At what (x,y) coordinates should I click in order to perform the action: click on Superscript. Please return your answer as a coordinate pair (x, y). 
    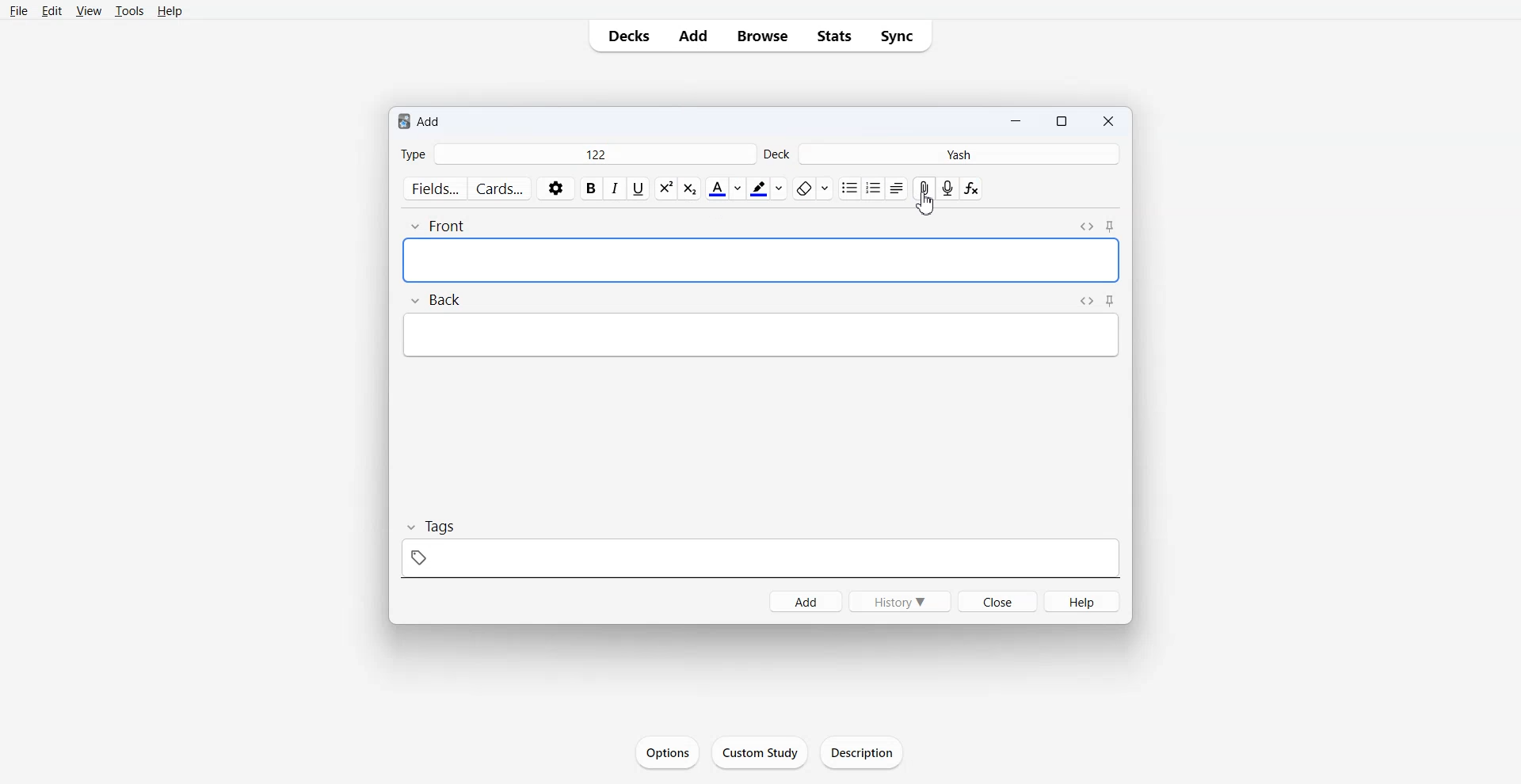
    Looking at the image, I should click on (691, 189).